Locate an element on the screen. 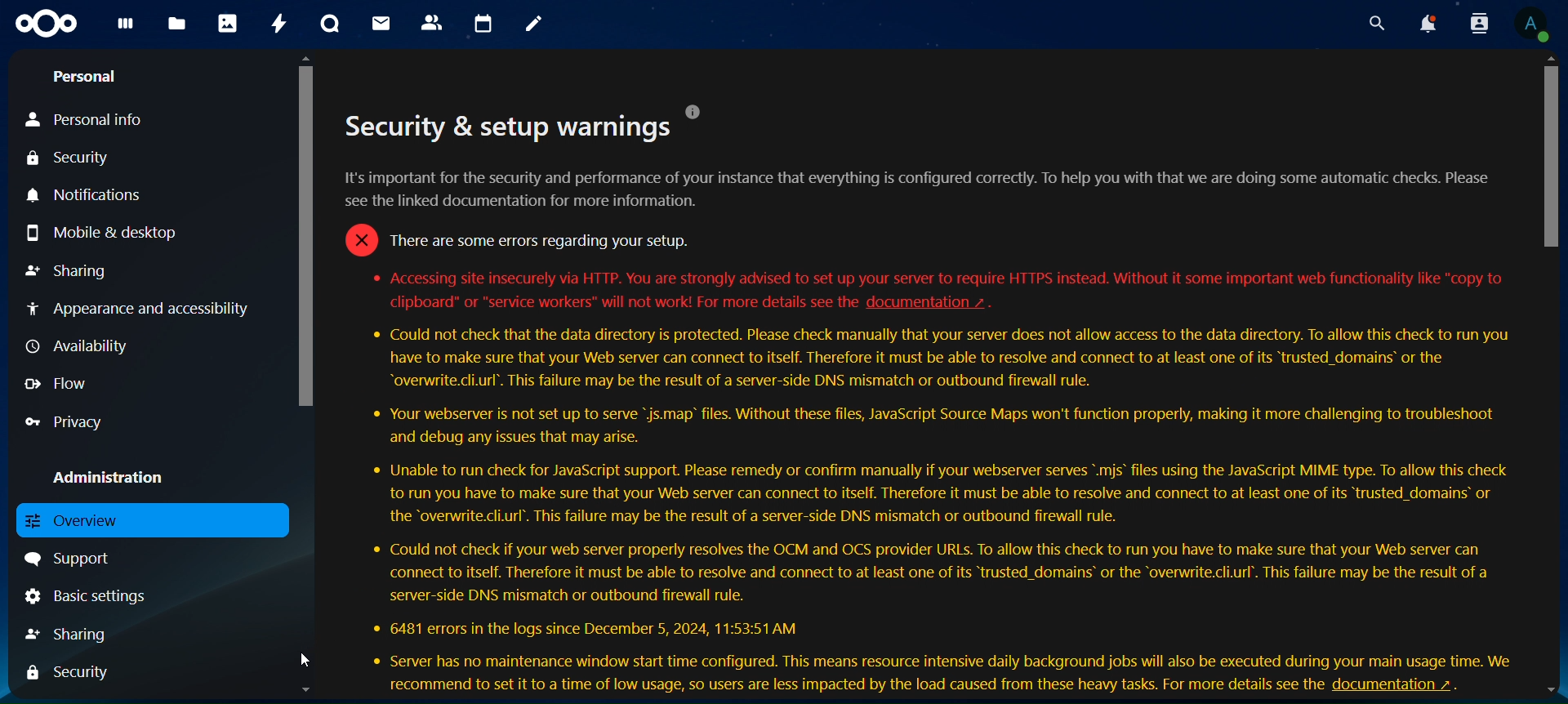  text is located at coordinates (841, 687).